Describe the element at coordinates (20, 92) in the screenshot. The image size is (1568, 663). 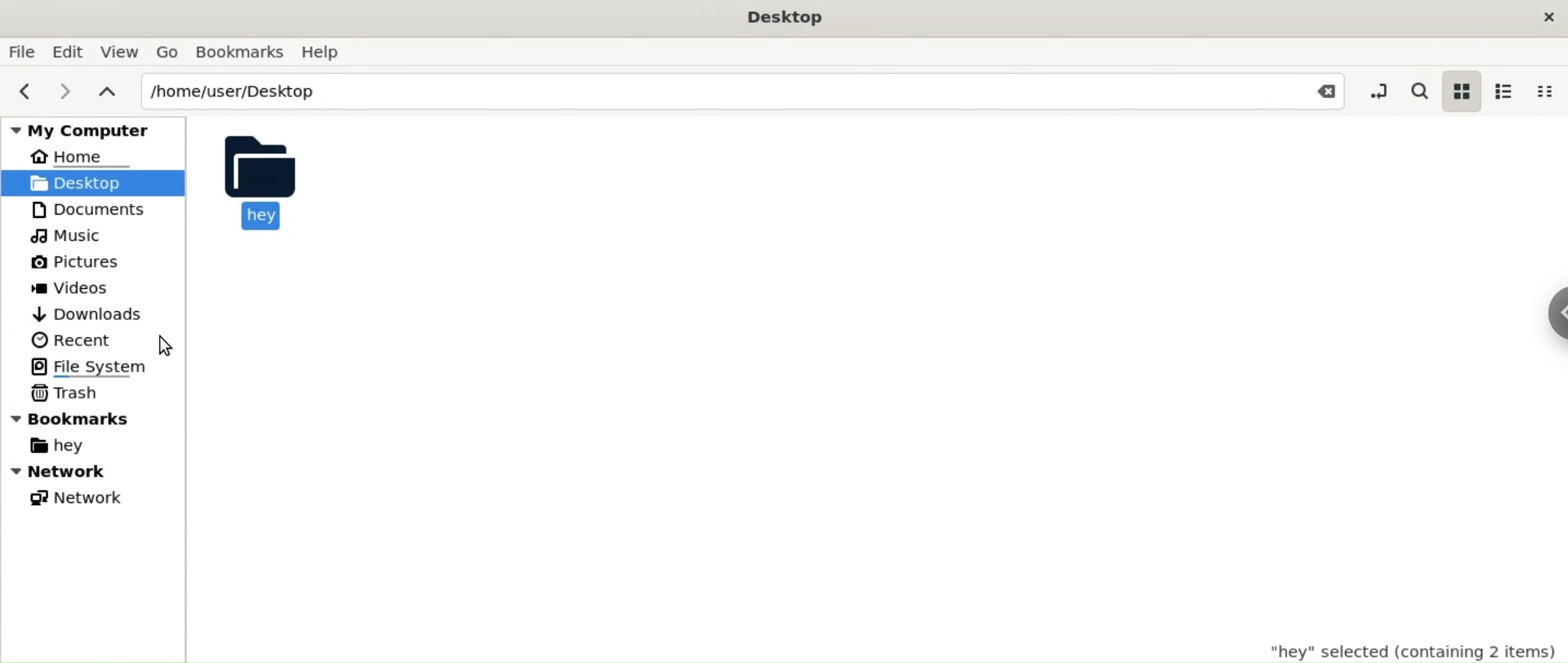
I see `previous` at that location.